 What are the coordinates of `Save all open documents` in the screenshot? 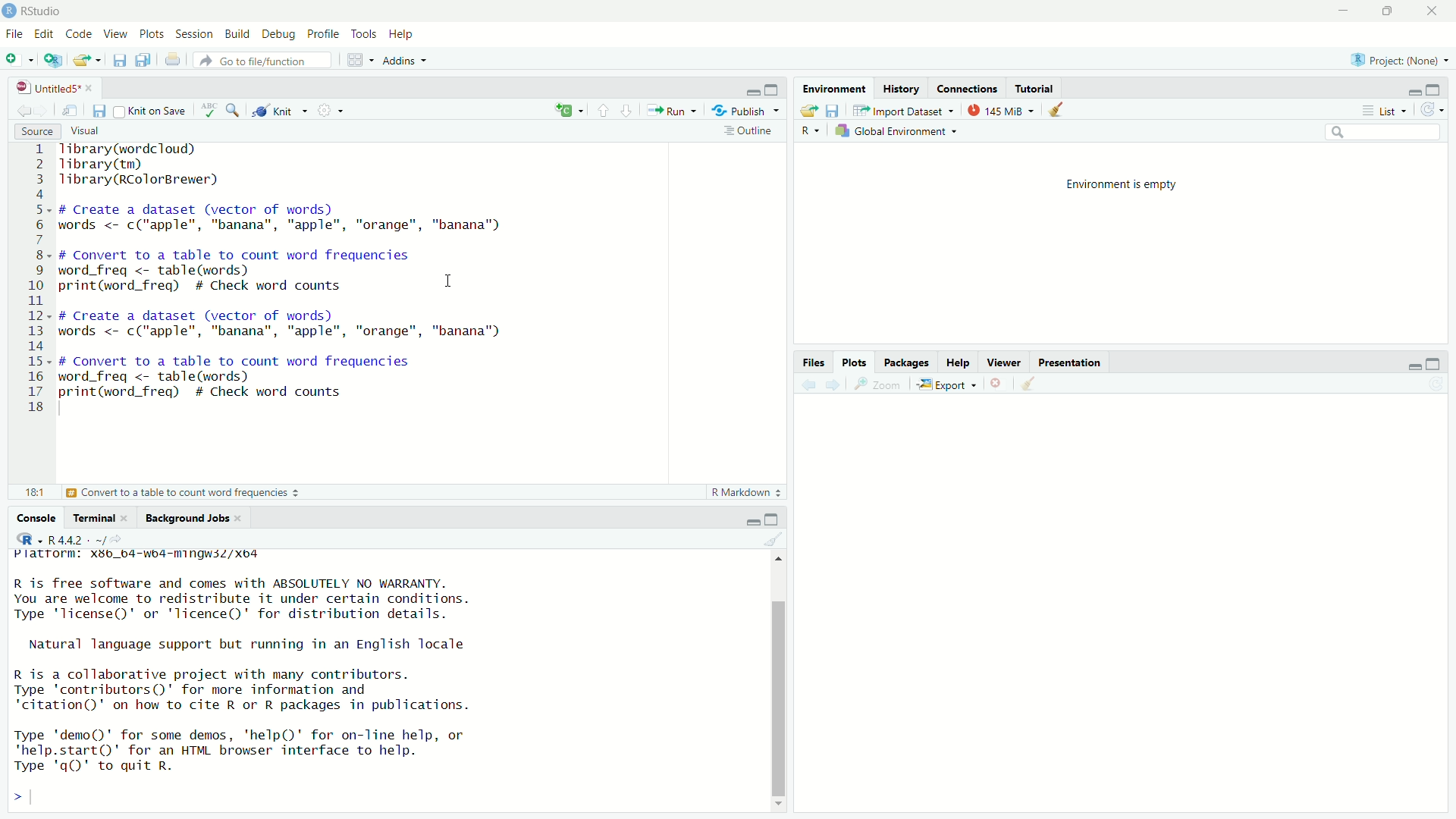 It's located at (144, 61).